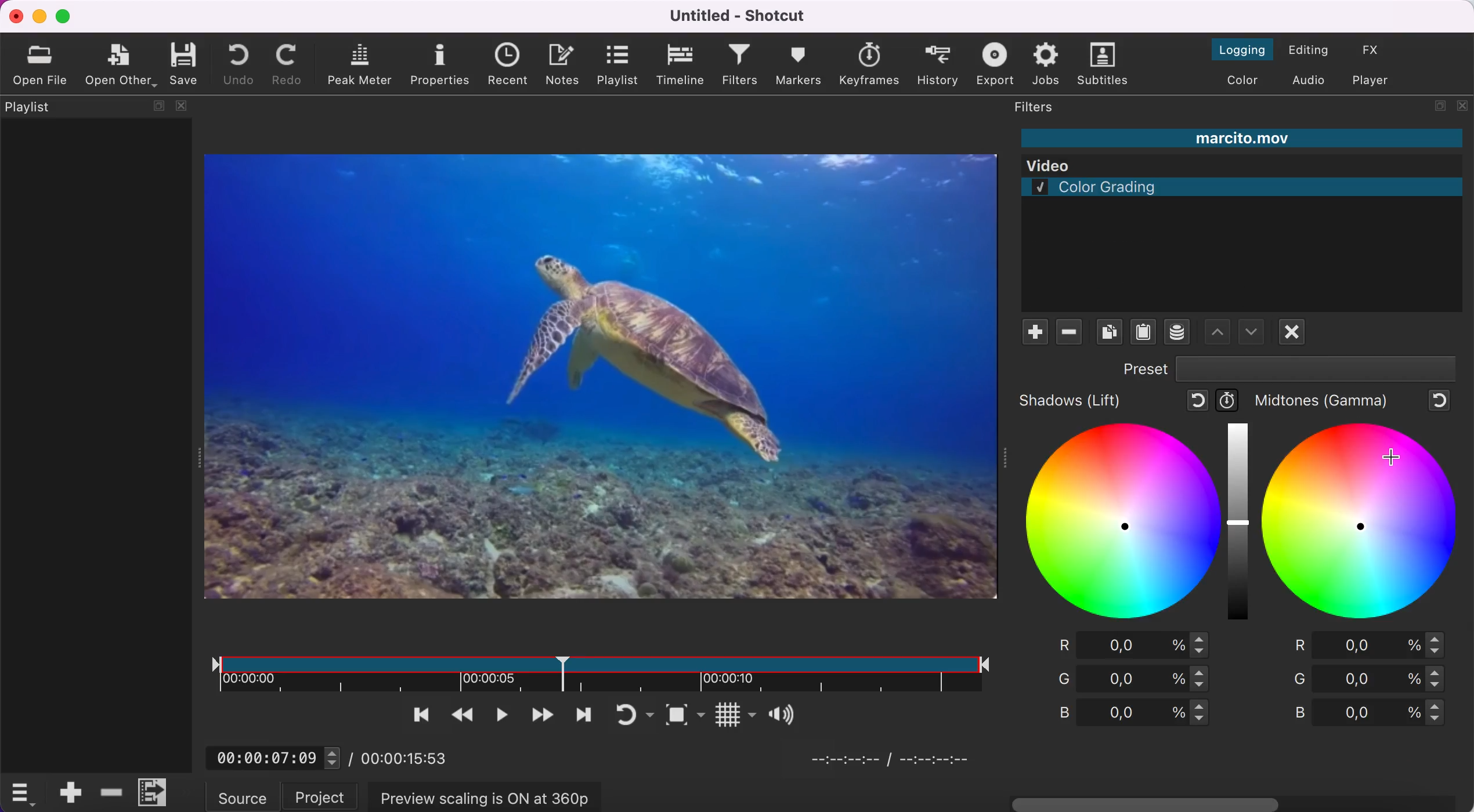  I want to click on filters panel, so click(1045, 108).